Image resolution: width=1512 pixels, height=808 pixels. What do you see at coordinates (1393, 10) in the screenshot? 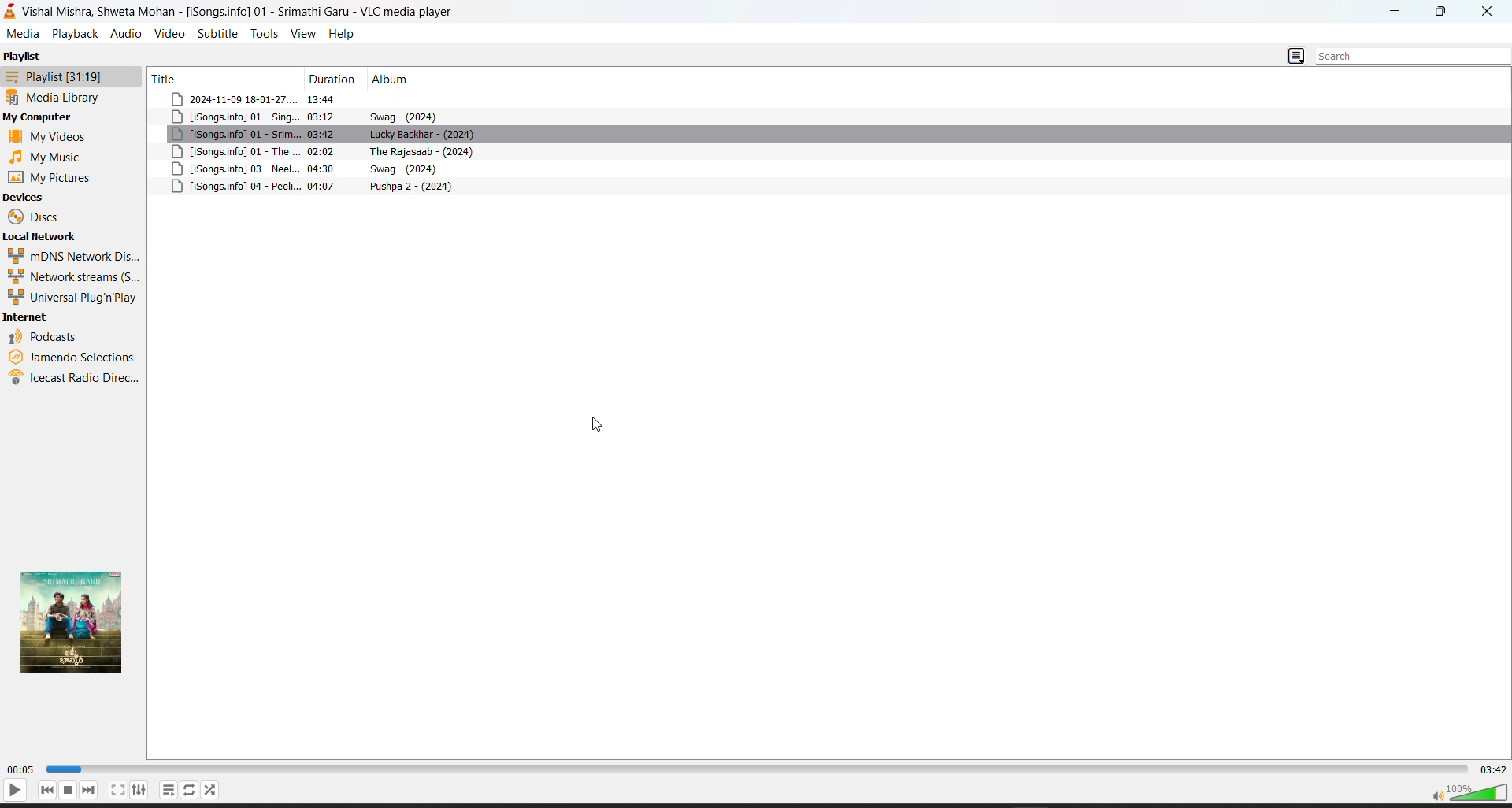
I see `minimize` at bounding box center [1393, 10].